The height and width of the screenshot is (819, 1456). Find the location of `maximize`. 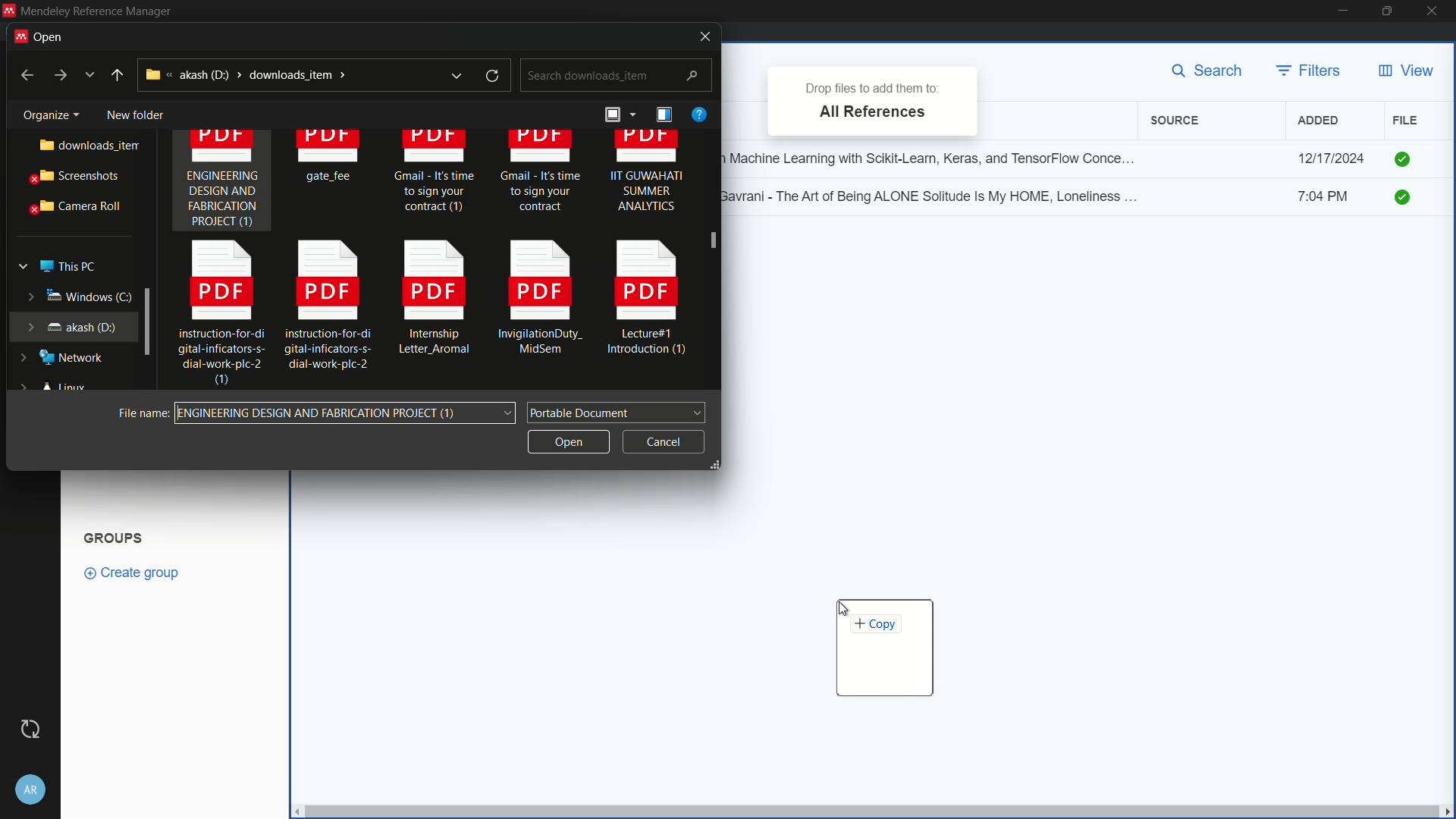

maximize is located at coordinates (1389, 11).